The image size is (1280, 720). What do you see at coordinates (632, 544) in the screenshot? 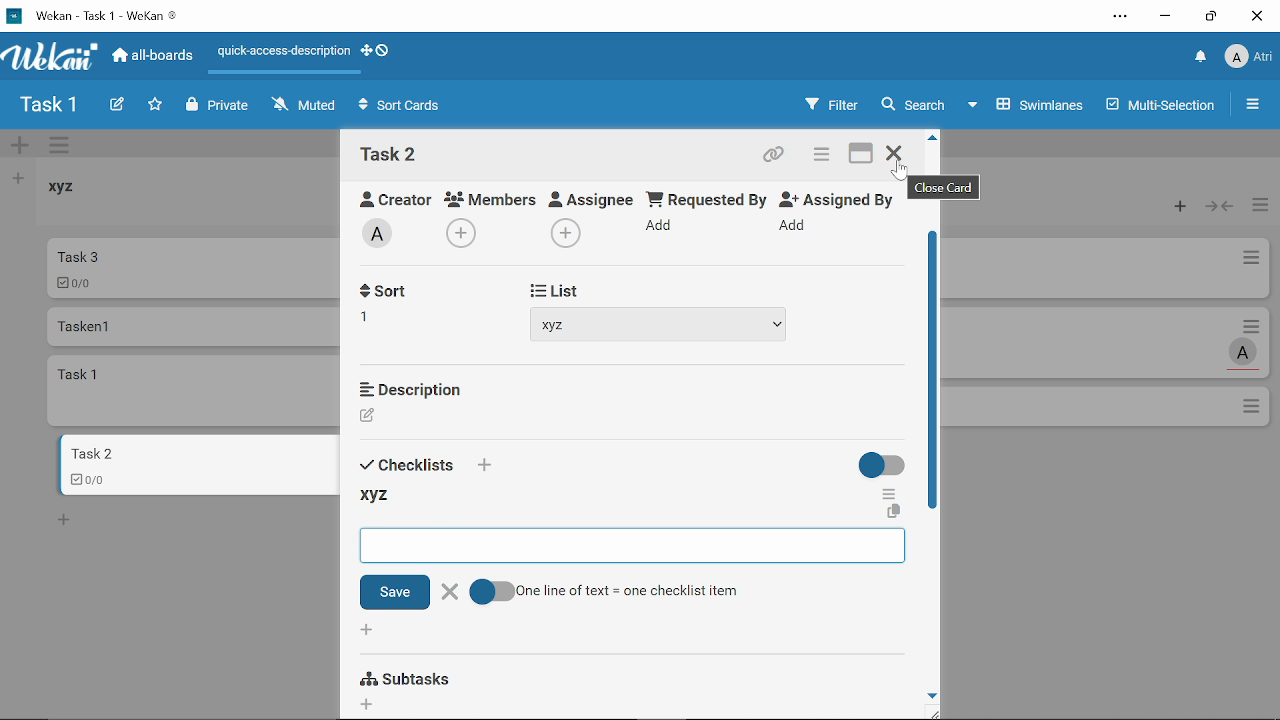
I see `Space` at bounding box center [632, 544].